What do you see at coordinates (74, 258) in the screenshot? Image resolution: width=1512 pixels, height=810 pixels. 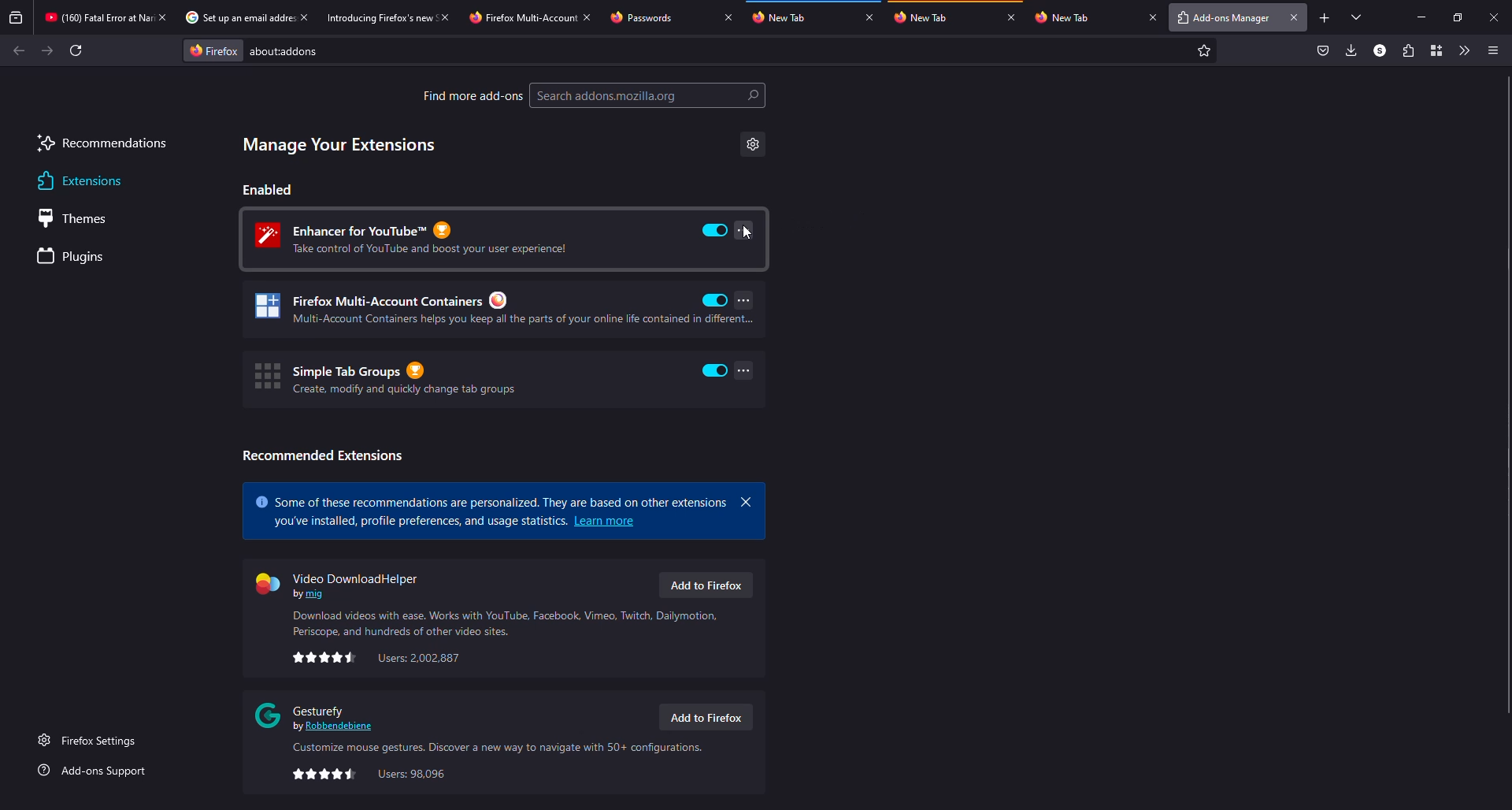 I see `plugins` at bounding box center [74, 258].